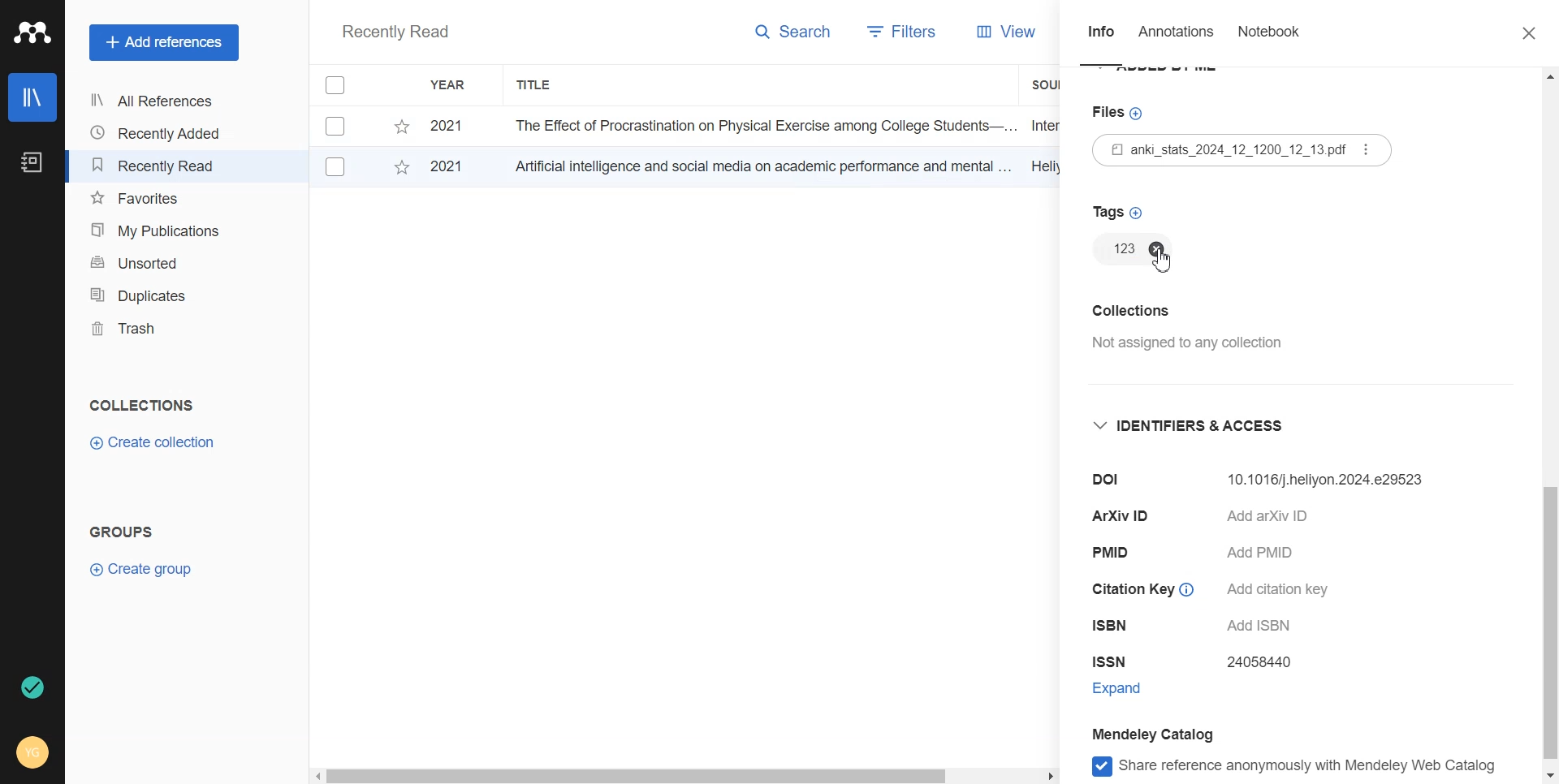 Image resolution: width=1559 pixels, height=784 pixels. I want to click on Share reference anonymously with mendeley web catlog, so click(1301, 768).